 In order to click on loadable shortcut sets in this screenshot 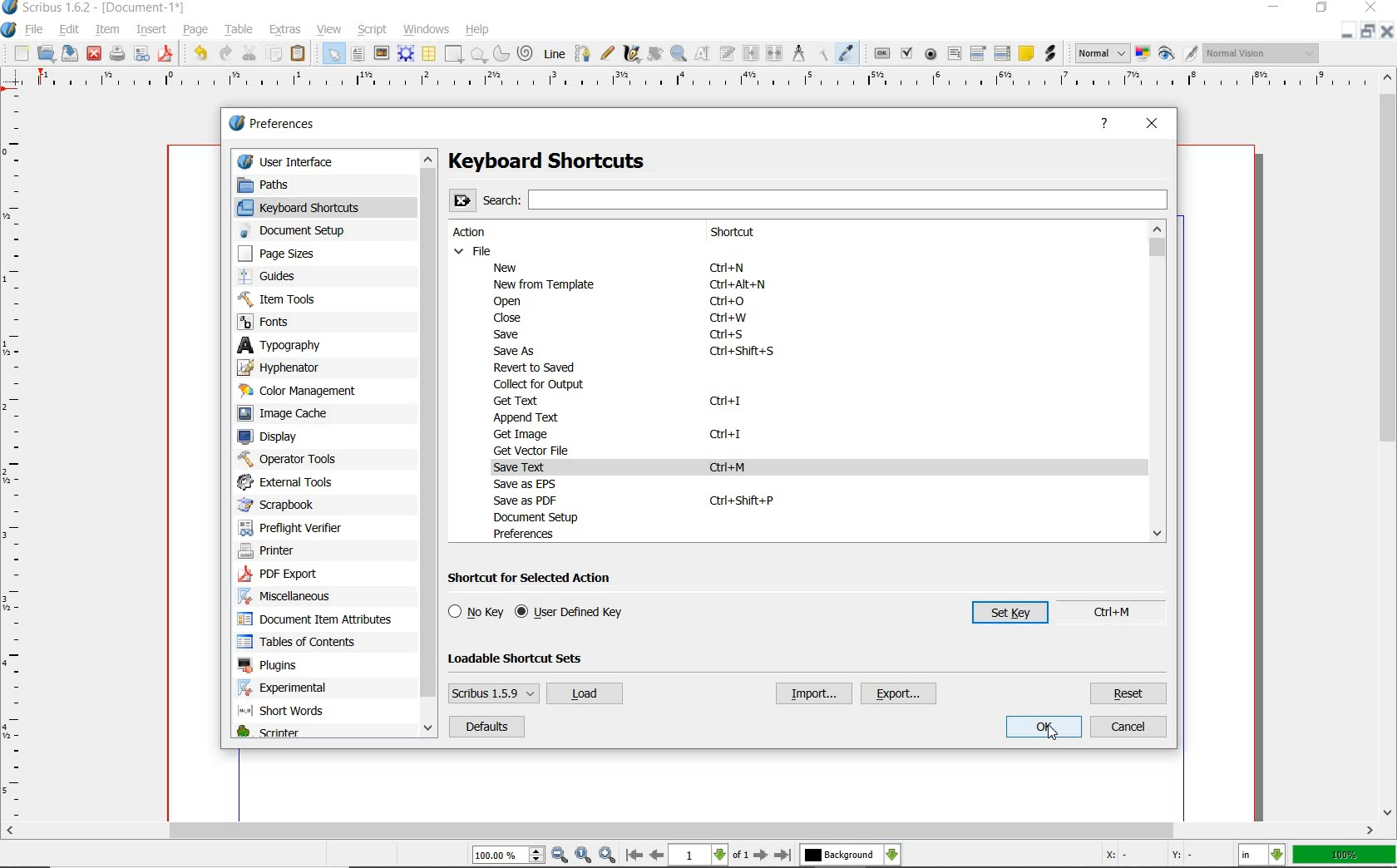, I will do `click(529, 658)`.